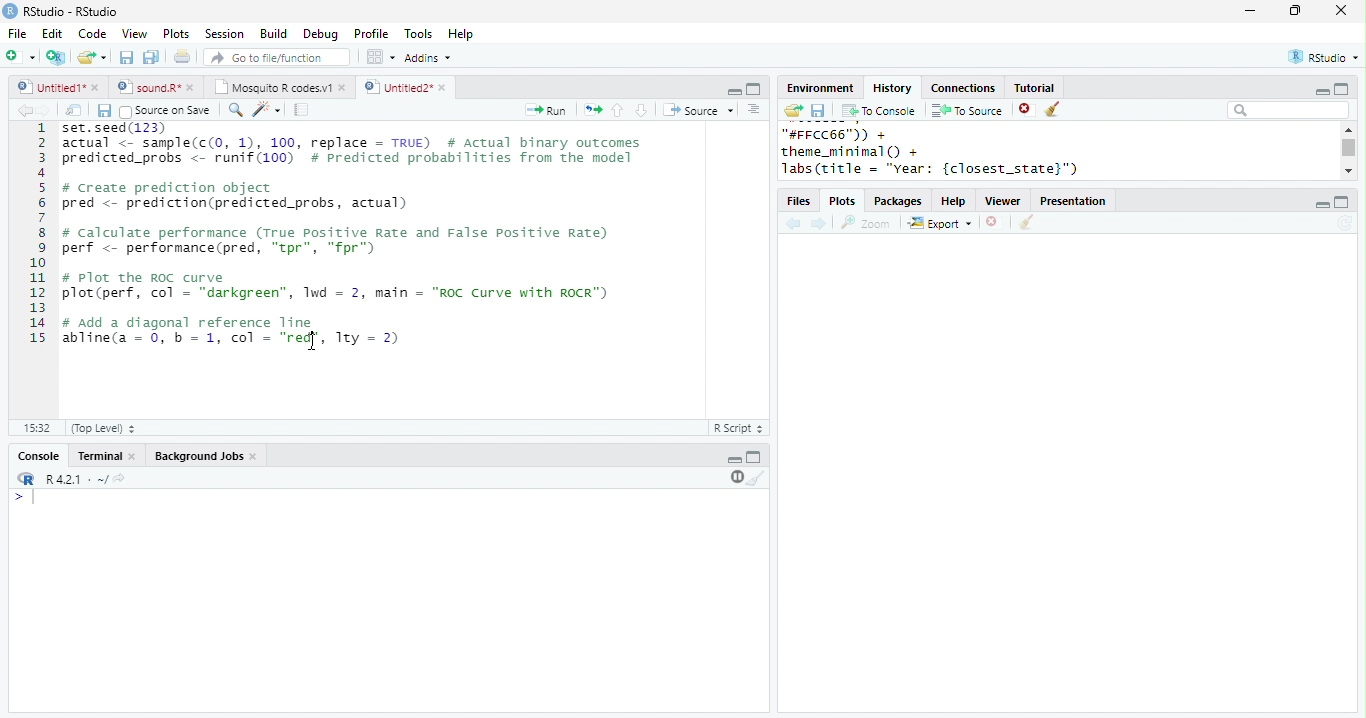 The width and height of the screenshot is (1366, 718). Describe the element at coordinates (149, 87) in the screenshot. I see `sound.R` at that location.